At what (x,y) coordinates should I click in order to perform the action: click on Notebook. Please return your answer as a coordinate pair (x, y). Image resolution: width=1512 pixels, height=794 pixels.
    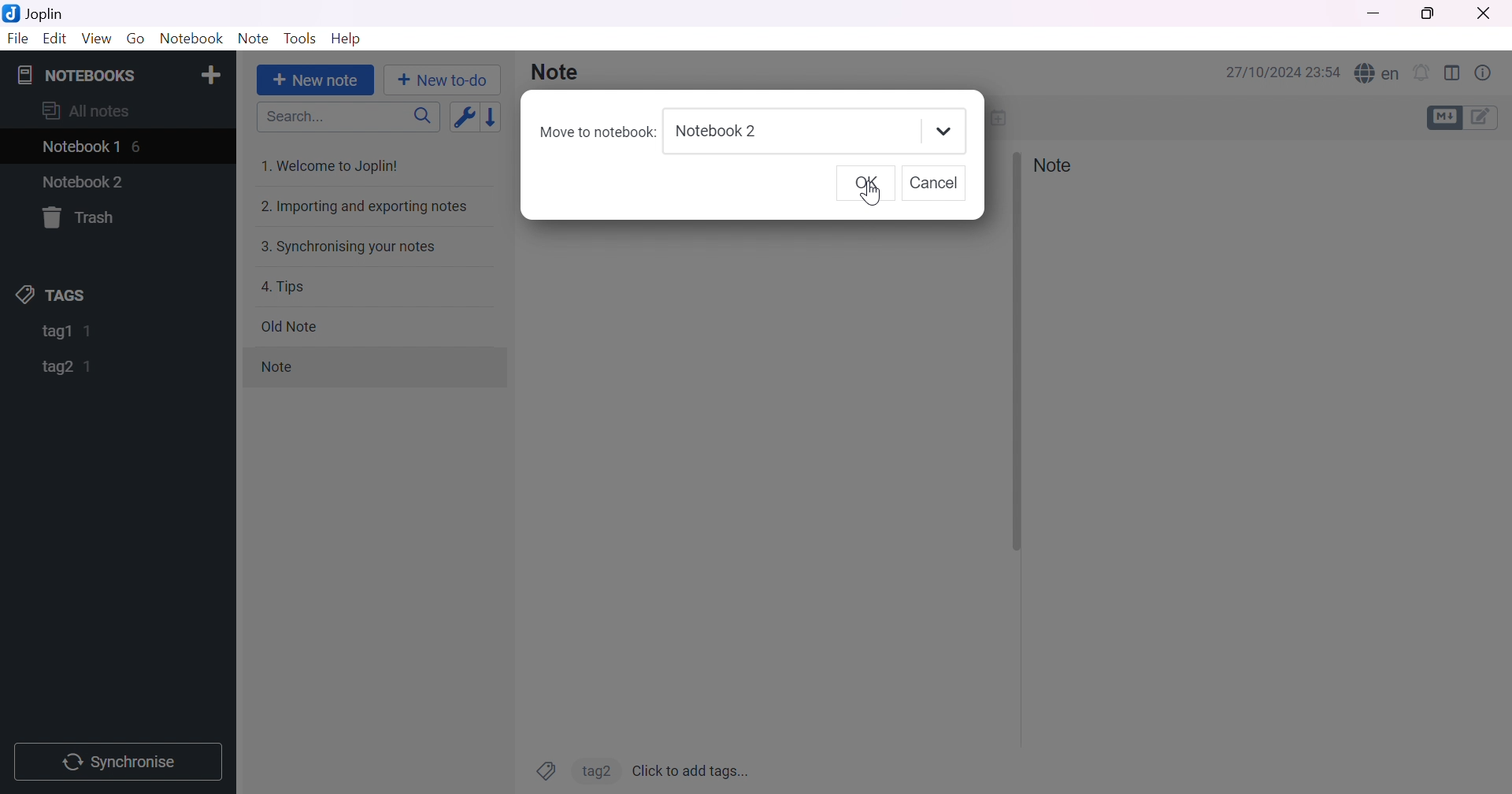
    Looking at the image, I should click on (188, 39).